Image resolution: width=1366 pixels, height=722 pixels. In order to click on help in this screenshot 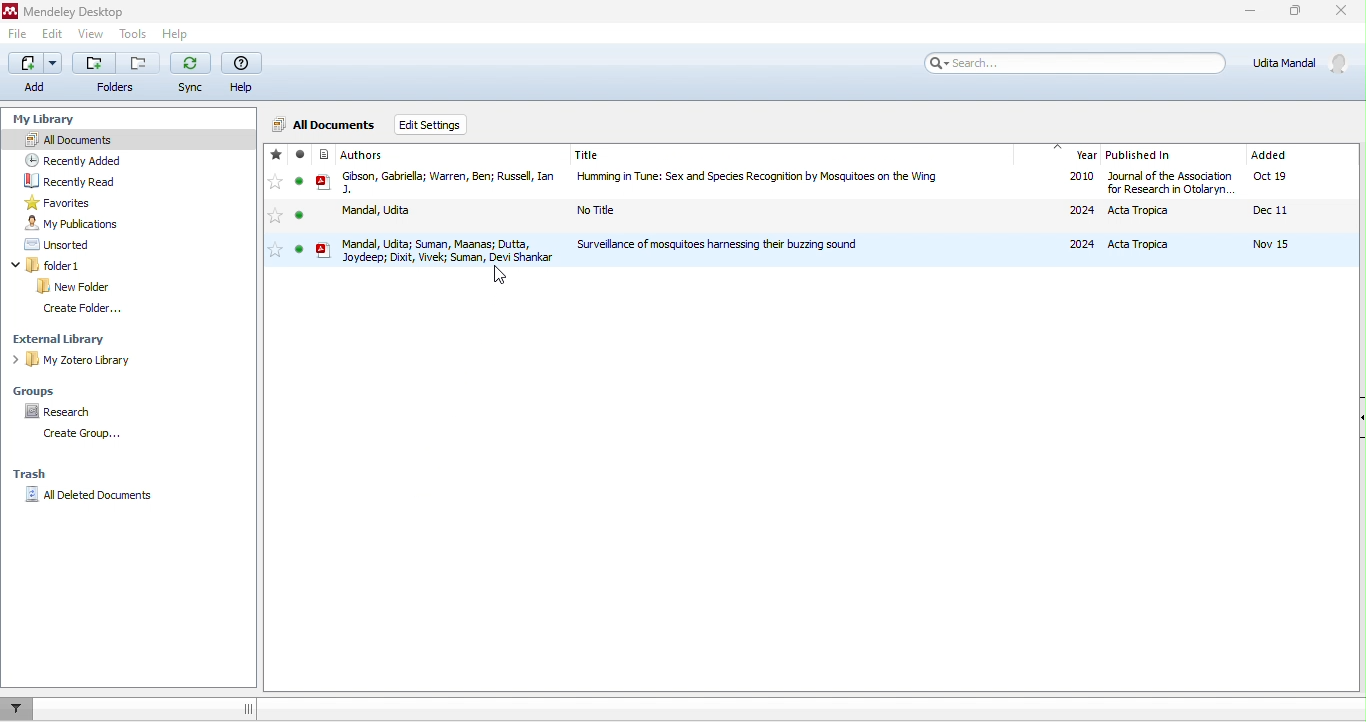, I will do `click(175, 33)`.